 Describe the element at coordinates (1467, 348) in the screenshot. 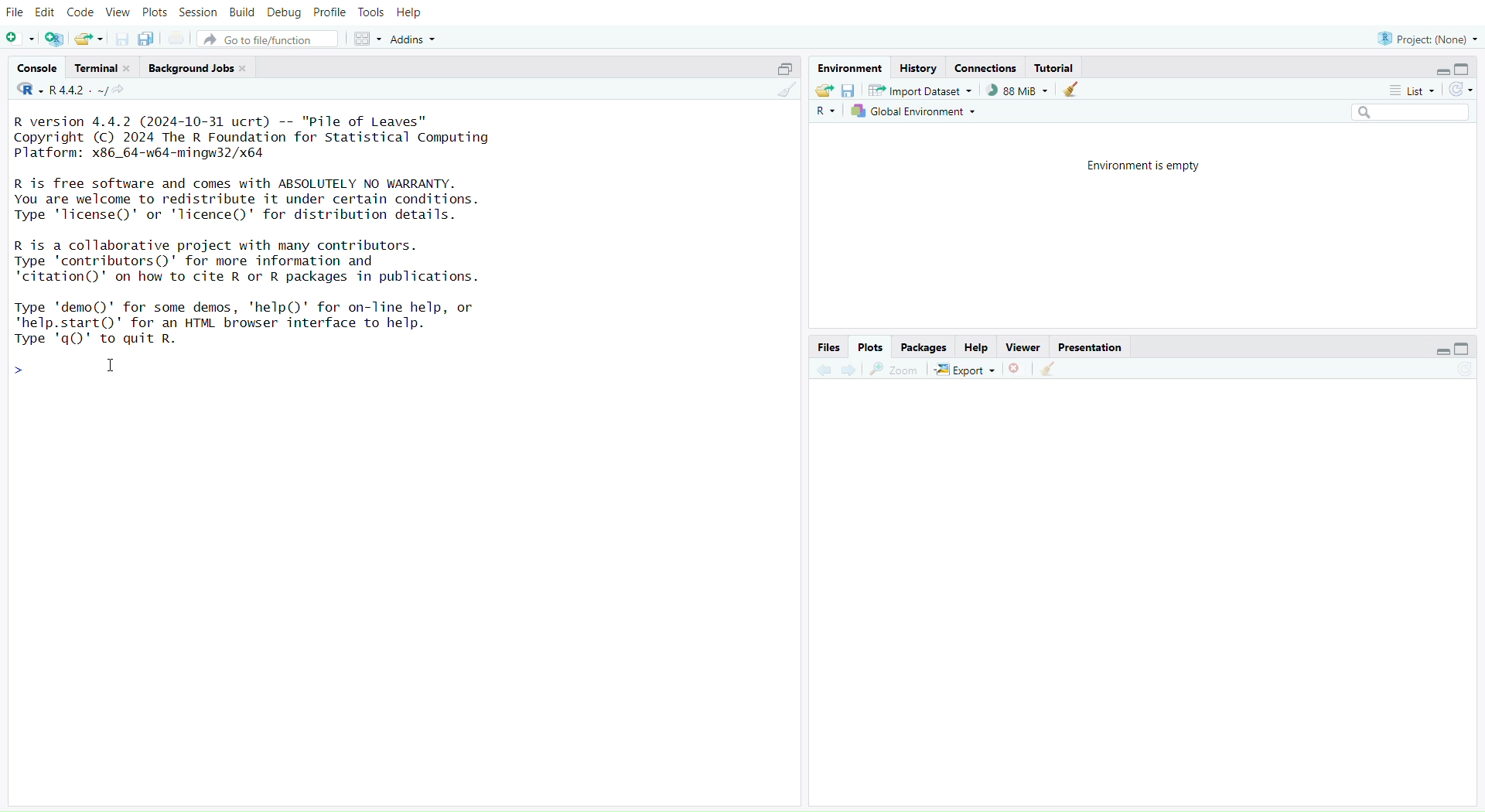

I see `collapse` at that location.